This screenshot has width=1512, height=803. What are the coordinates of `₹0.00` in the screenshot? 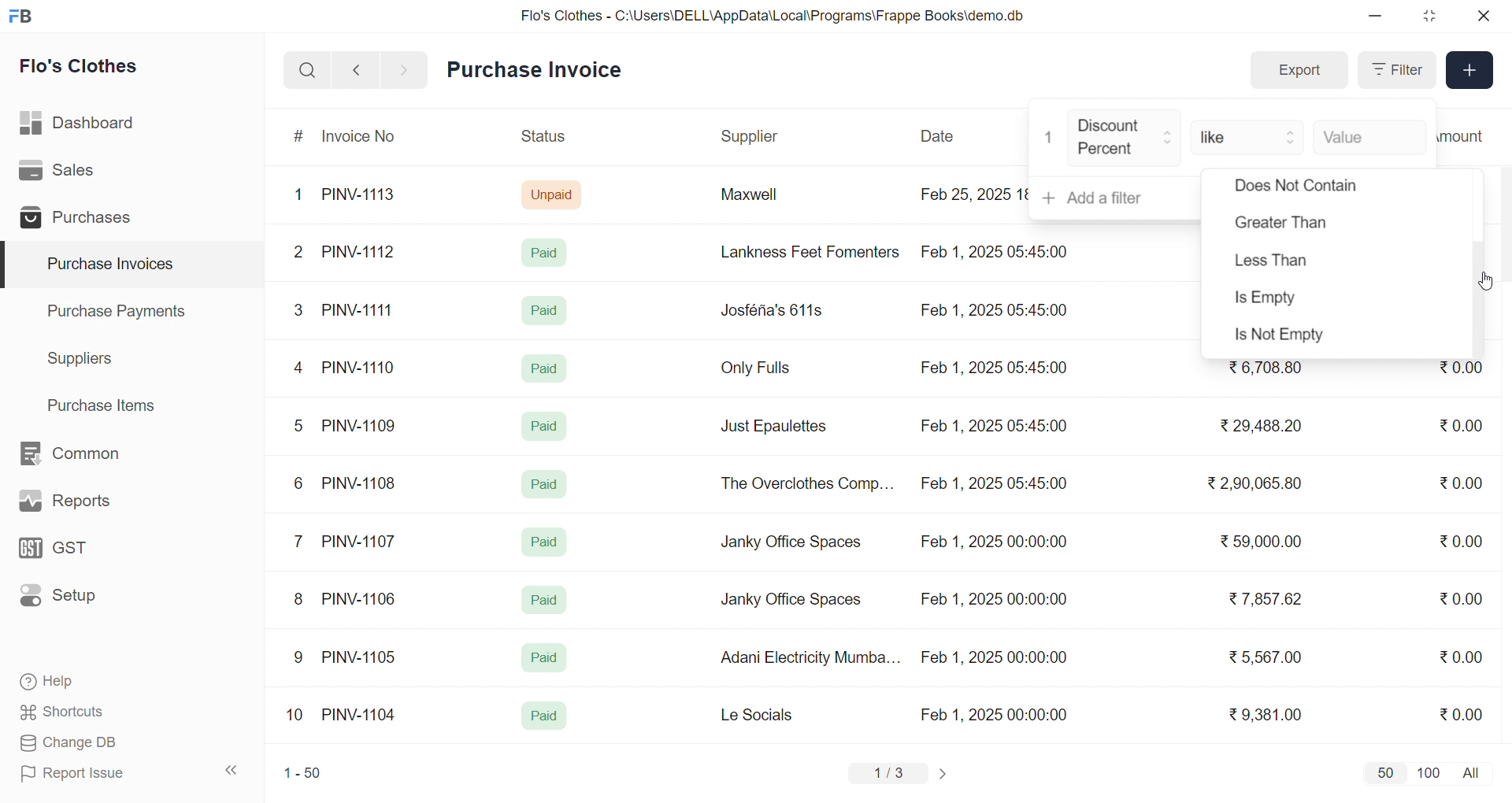 It's located at (1461, 713).